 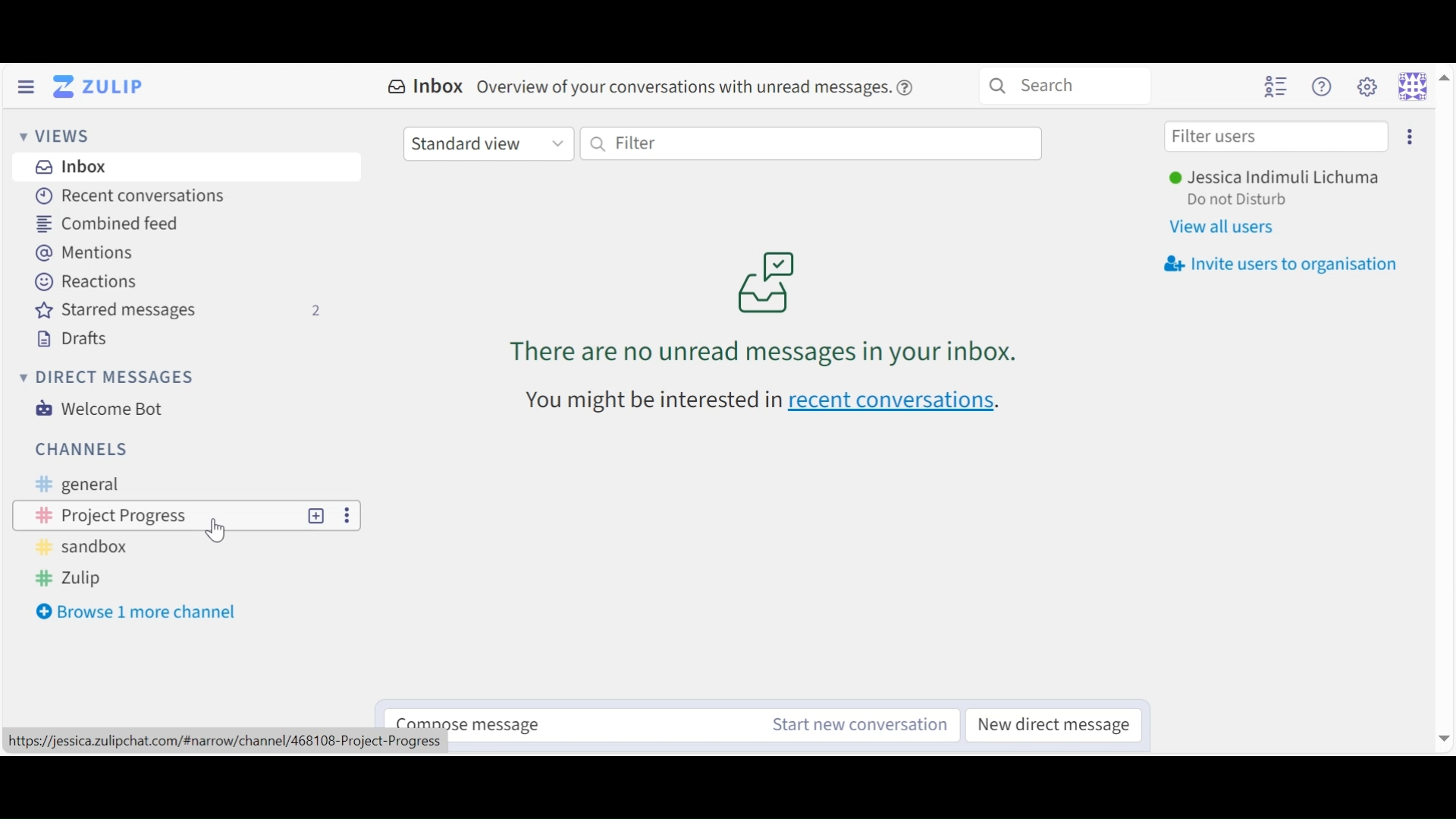 What do you see at coordinates (1322, 86) in the screenshot?
I see `Help menu` at bounding box center [1322, 86].